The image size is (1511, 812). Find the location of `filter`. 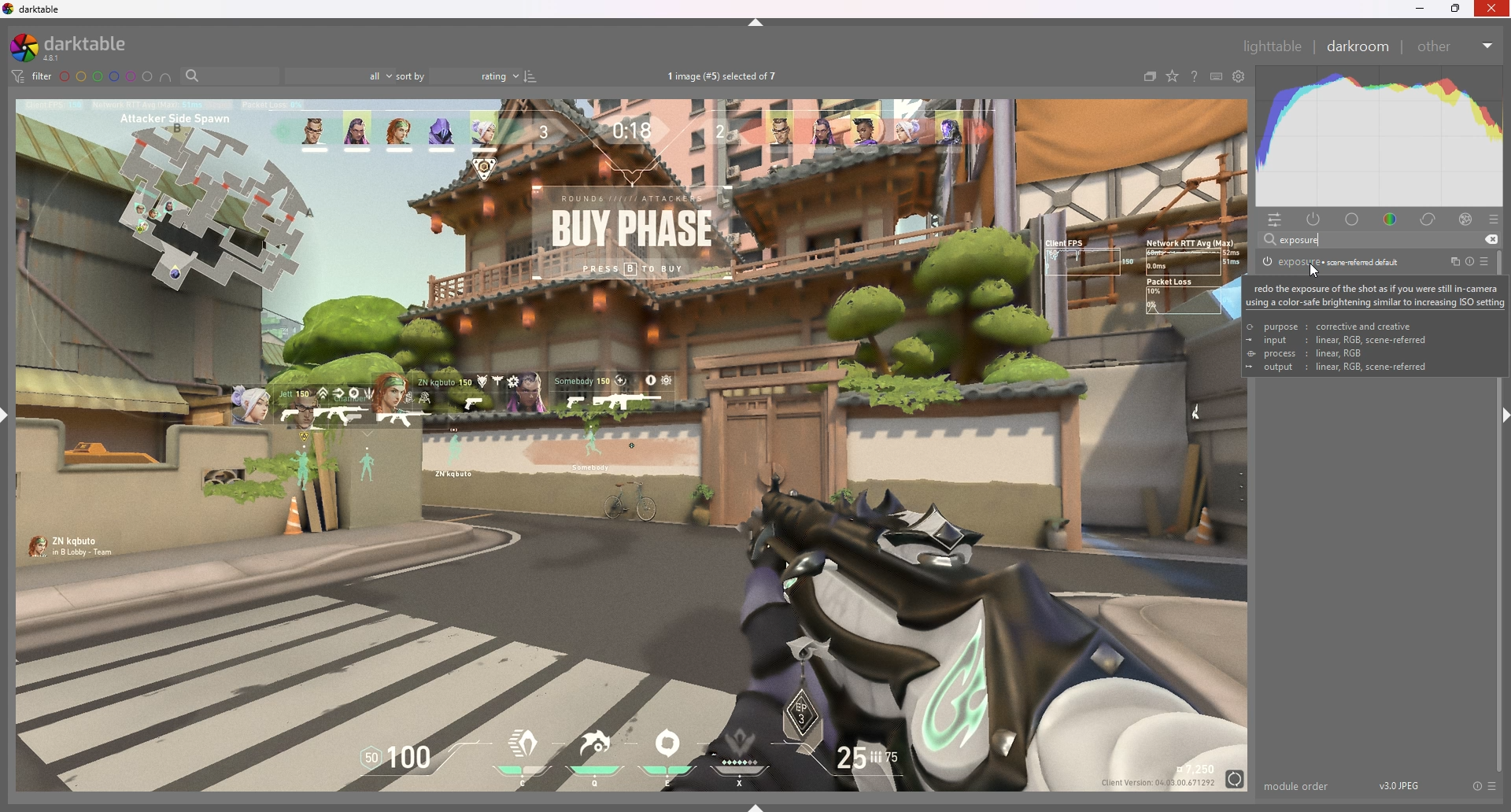

filter is located at coordinates (33, 76).